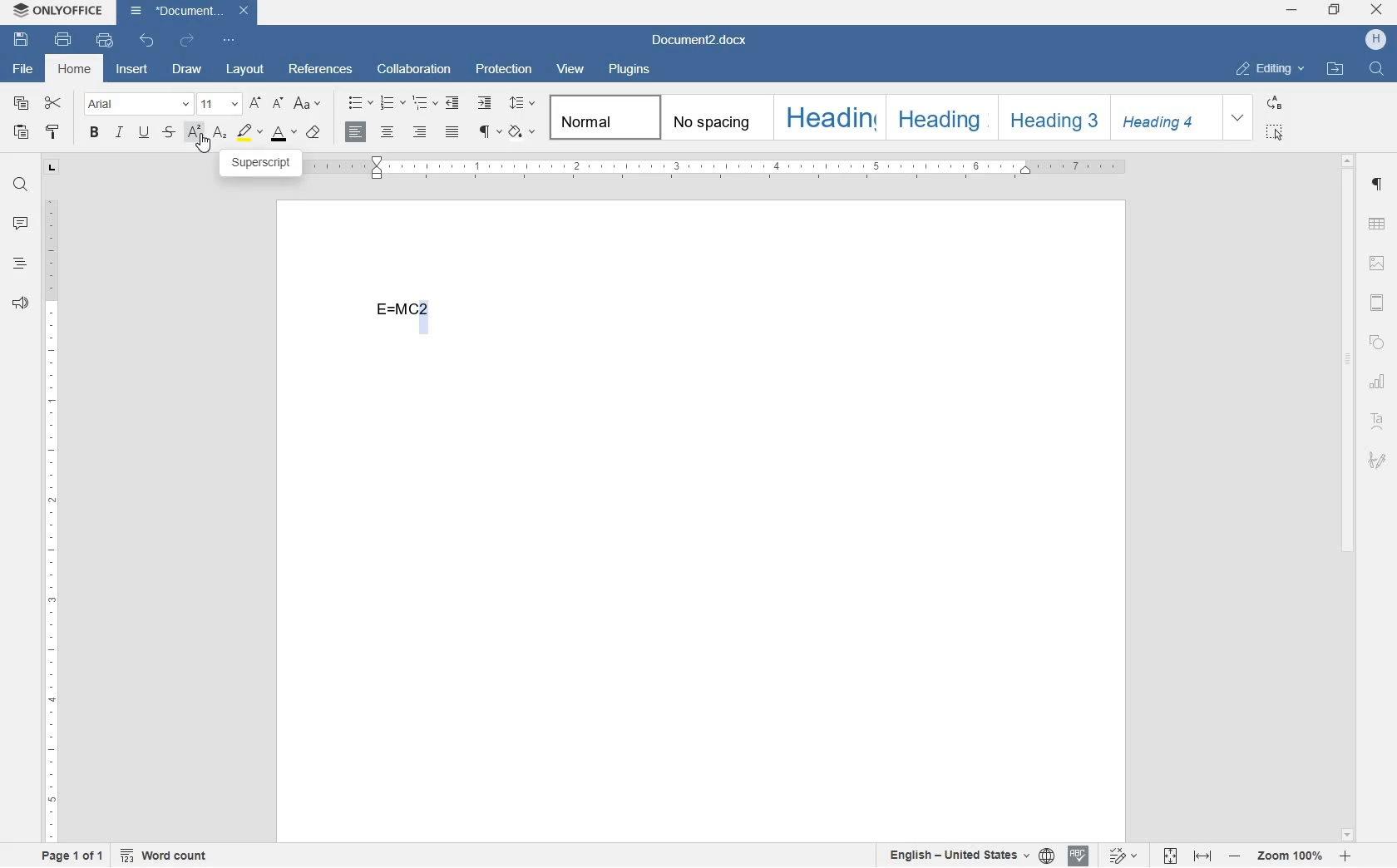 This screenshot has height=868, width=1397. I want to click on justified, so click(453, 131).